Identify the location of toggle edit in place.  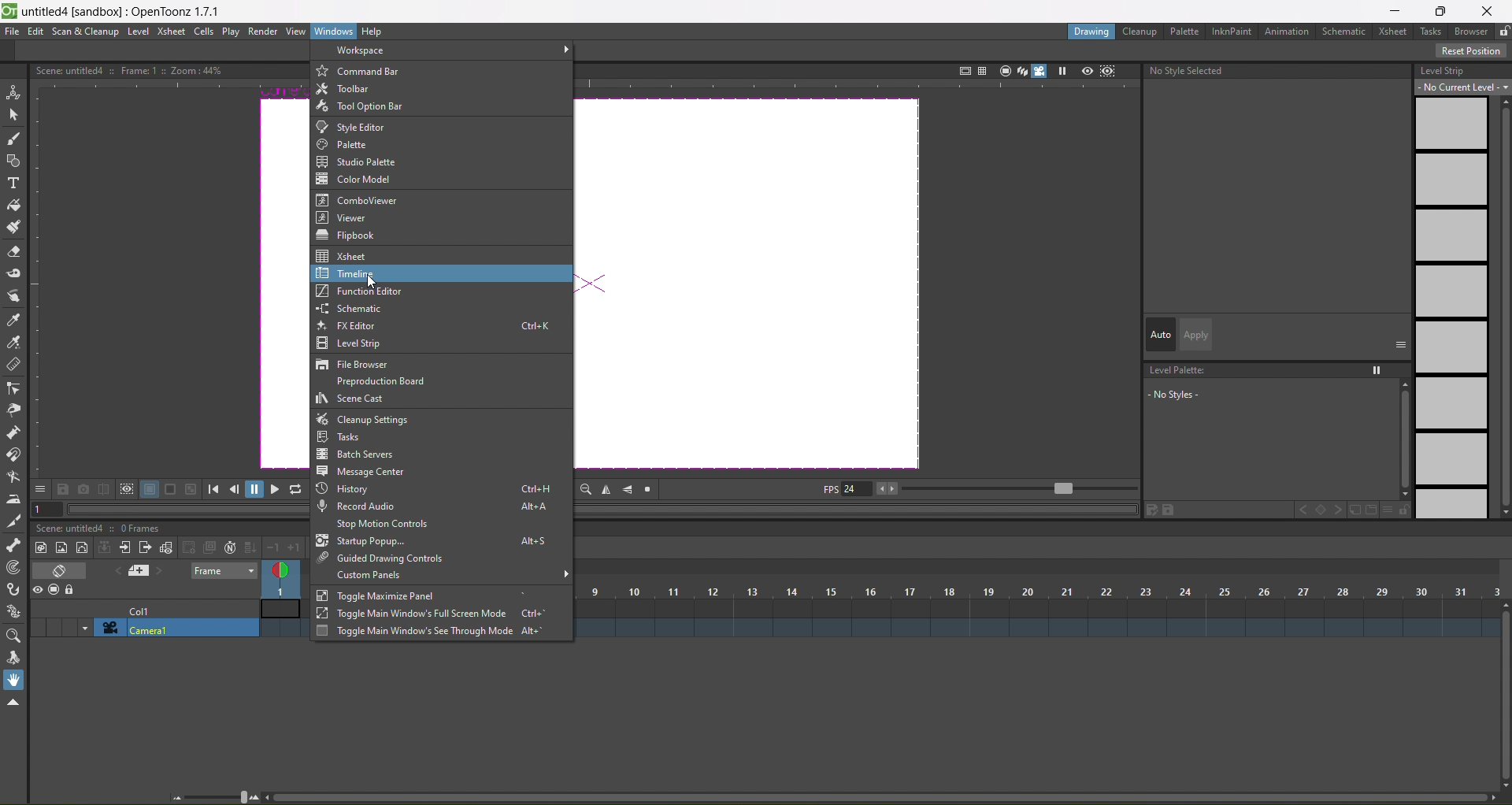
(165, 547).